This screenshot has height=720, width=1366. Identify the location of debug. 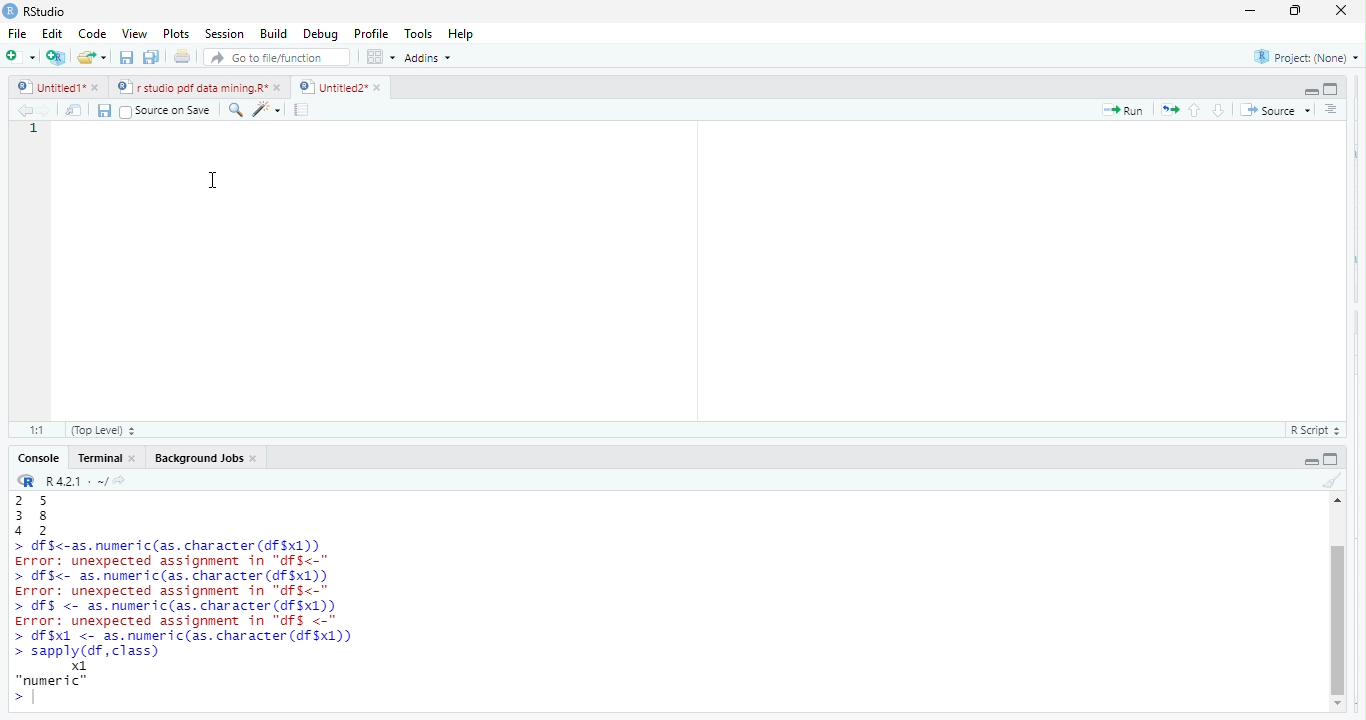
(322, 34).